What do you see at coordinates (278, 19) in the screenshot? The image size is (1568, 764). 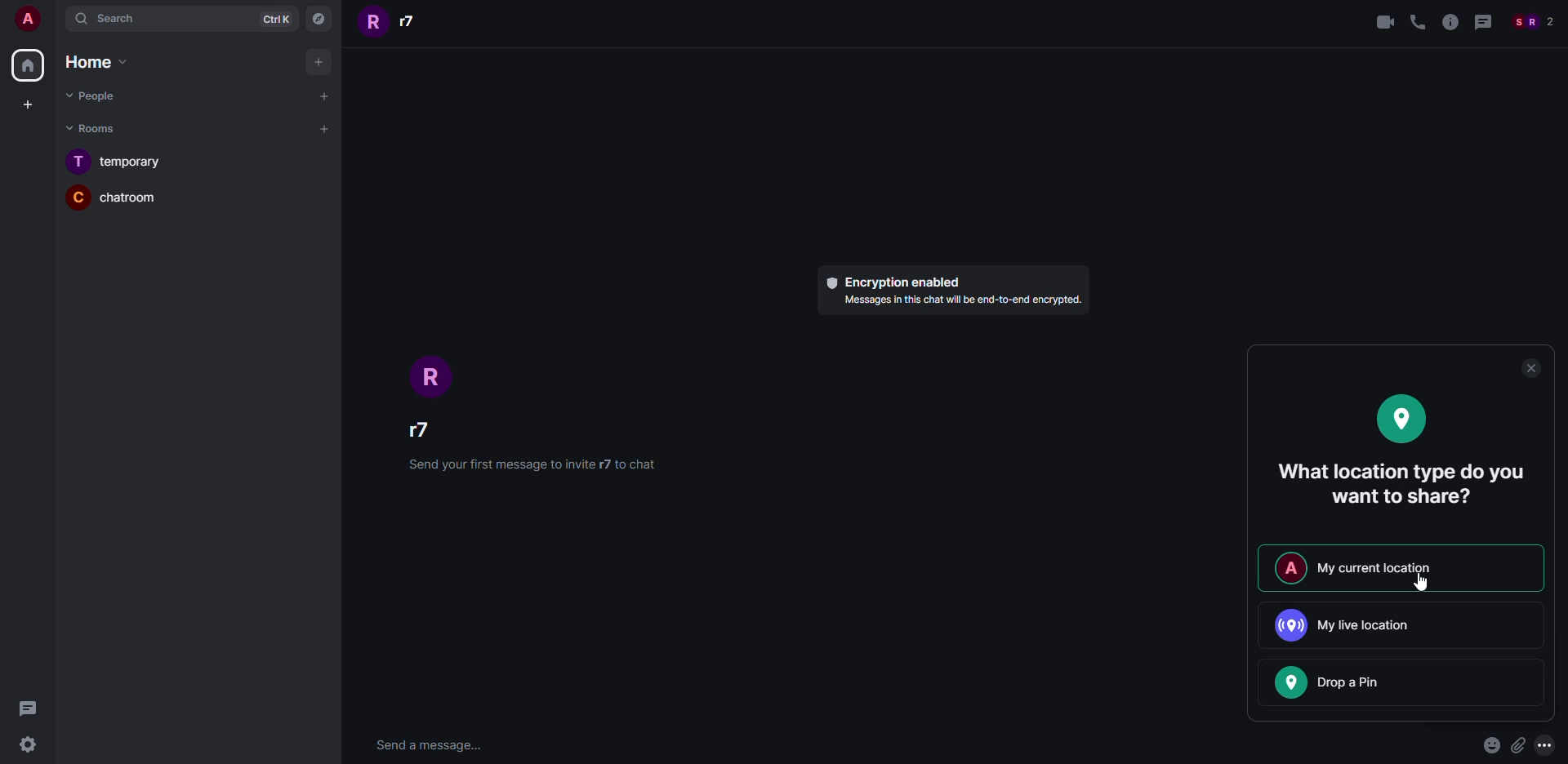 I see `CtrlK` at bounding box center [278, 19].